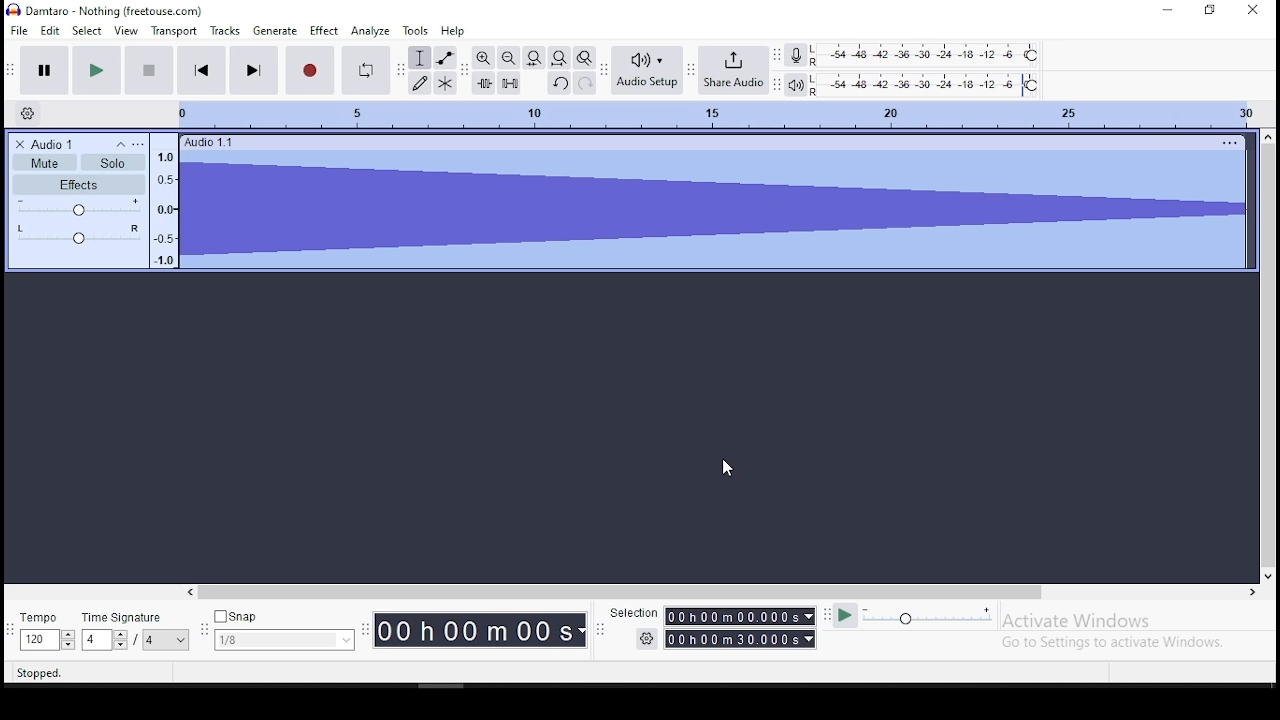 This screenshot has height=720, width=1280. I want to click on delete track, so click(20, 145).